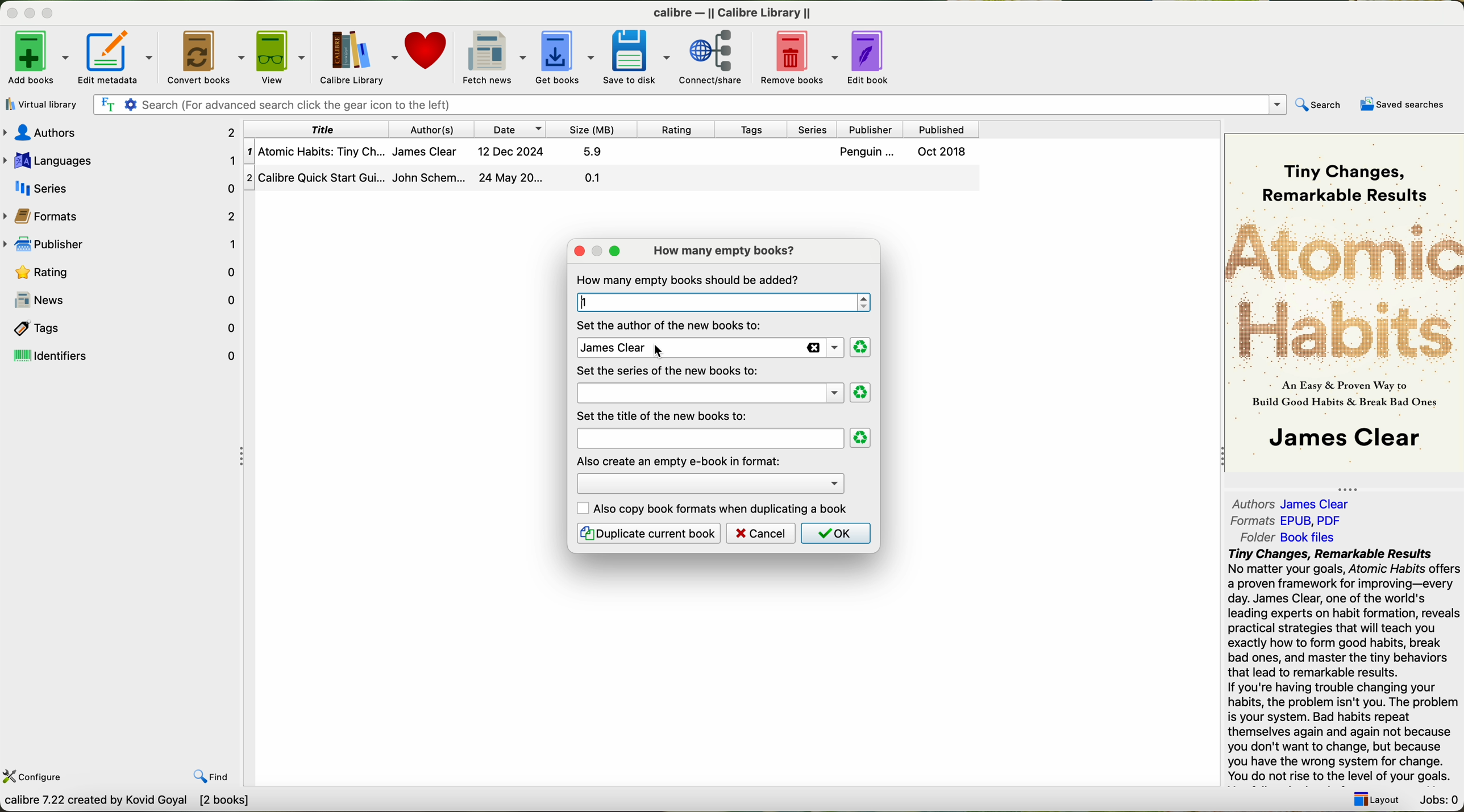  What do you see at coordinates (648, 533) in the screenshot?
I see `duplicate current book` at bounding box center [648, 533].